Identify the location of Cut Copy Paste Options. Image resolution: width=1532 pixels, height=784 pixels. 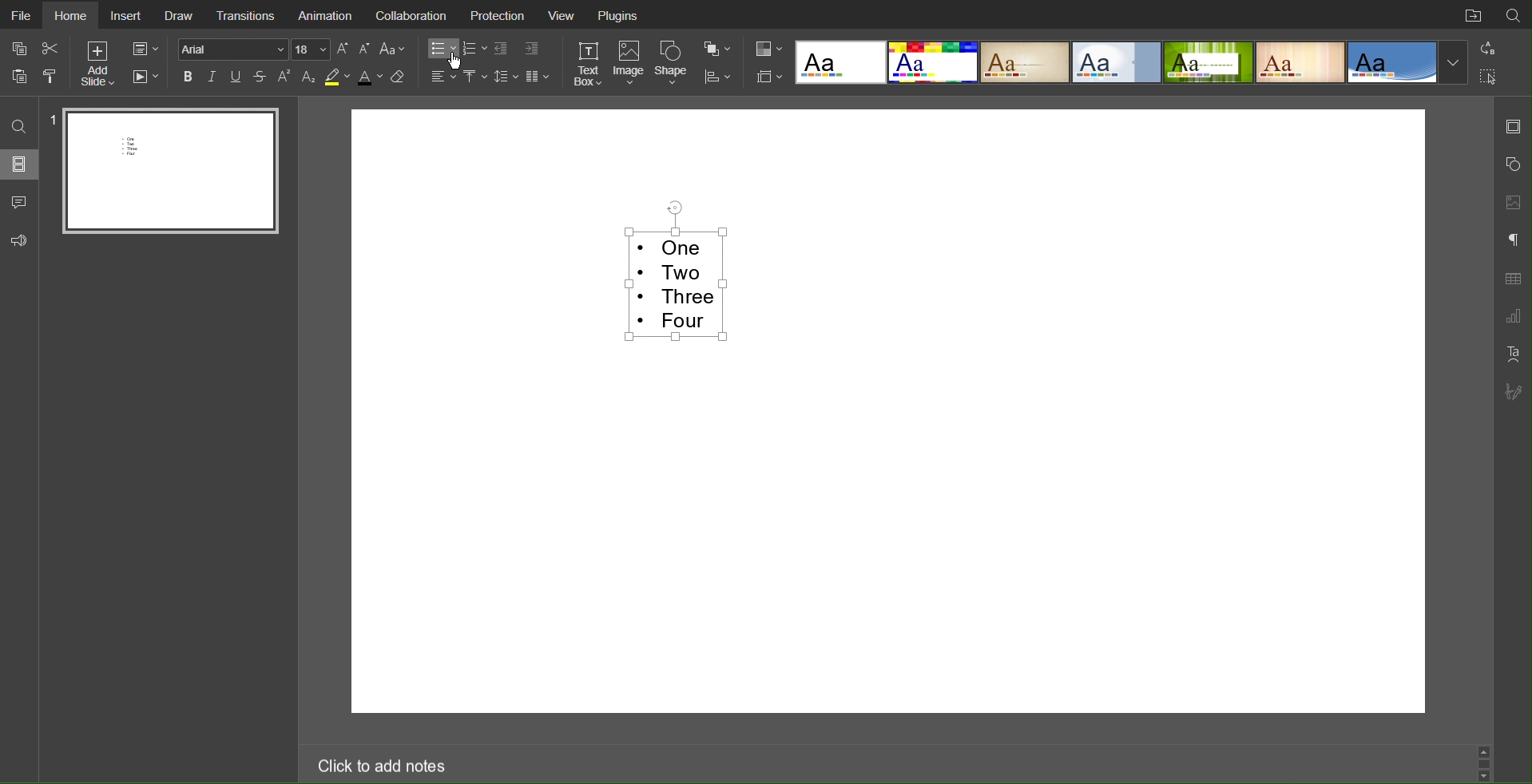
(37, 63).